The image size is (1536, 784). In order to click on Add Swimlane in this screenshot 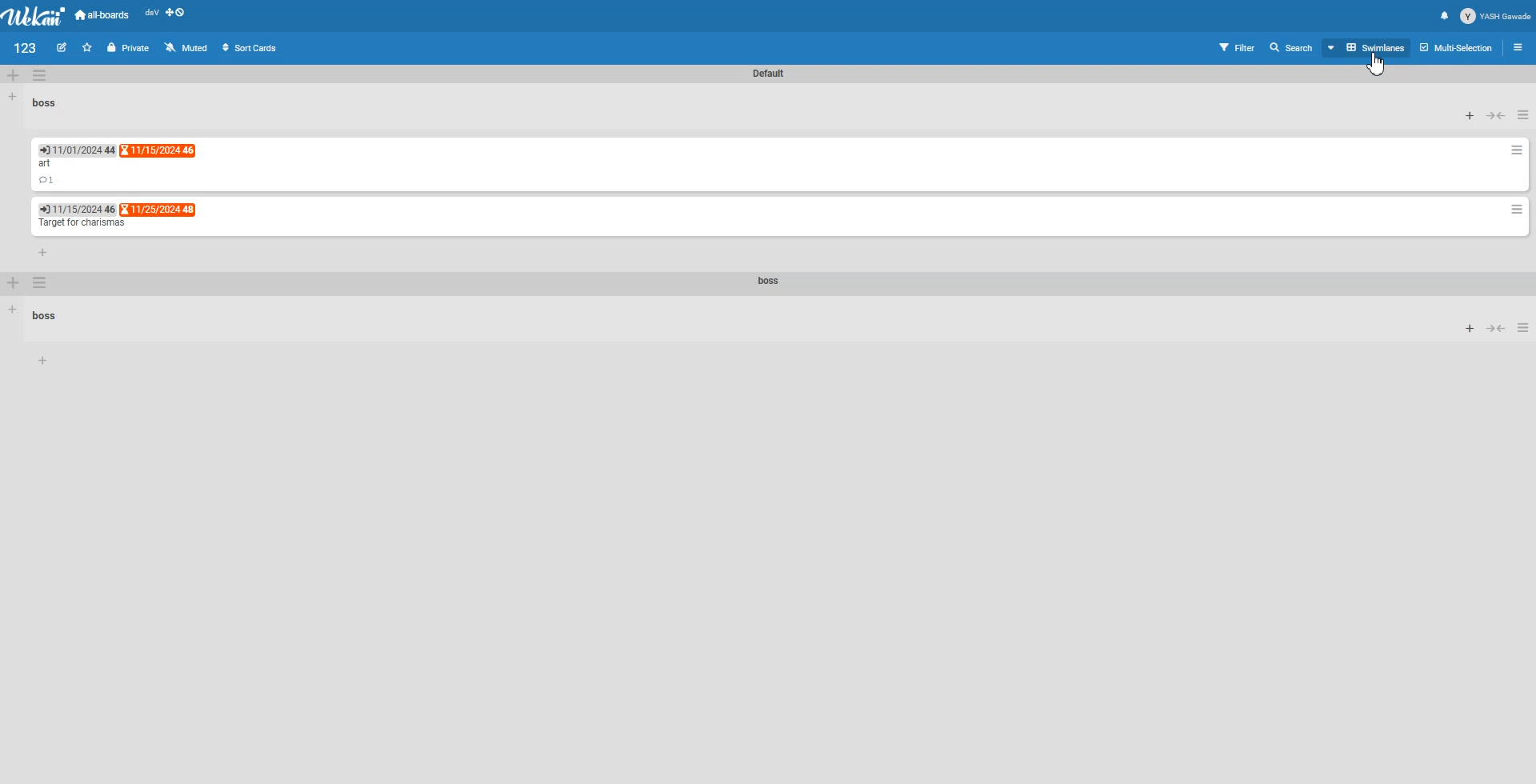, I will do `click(14, 282)`.